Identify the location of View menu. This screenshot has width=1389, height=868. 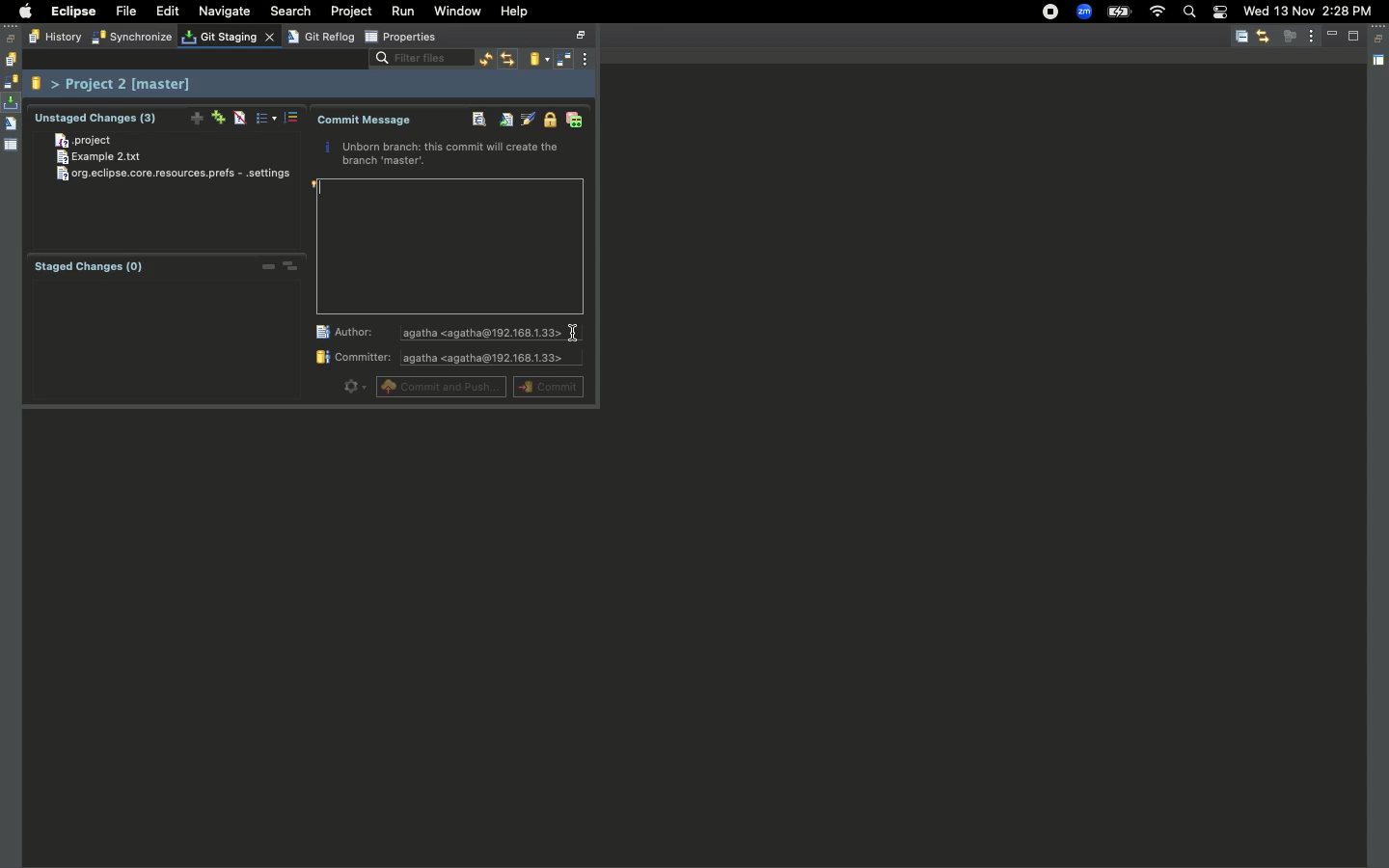
(1312, 35).